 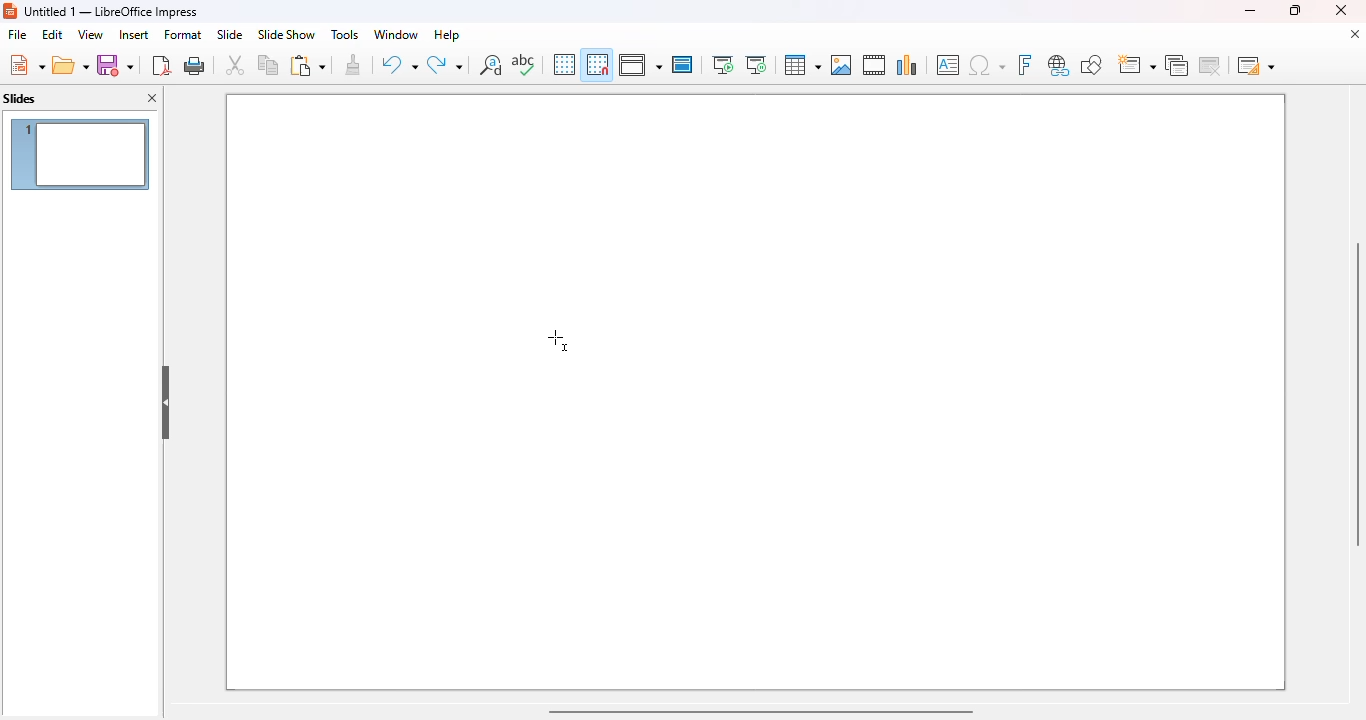 I want to click on insert chart, so click(x=907, y=64).